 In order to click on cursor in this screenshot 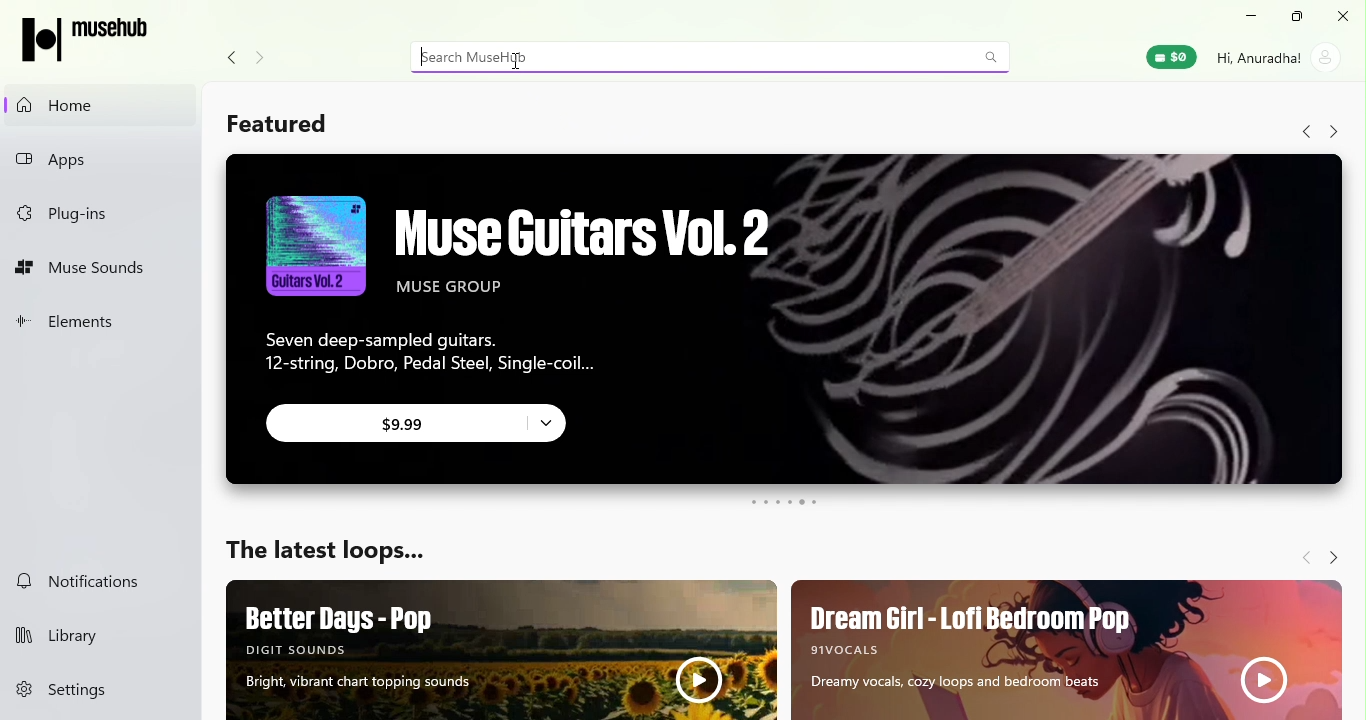, I will do `click(513, 65)`.